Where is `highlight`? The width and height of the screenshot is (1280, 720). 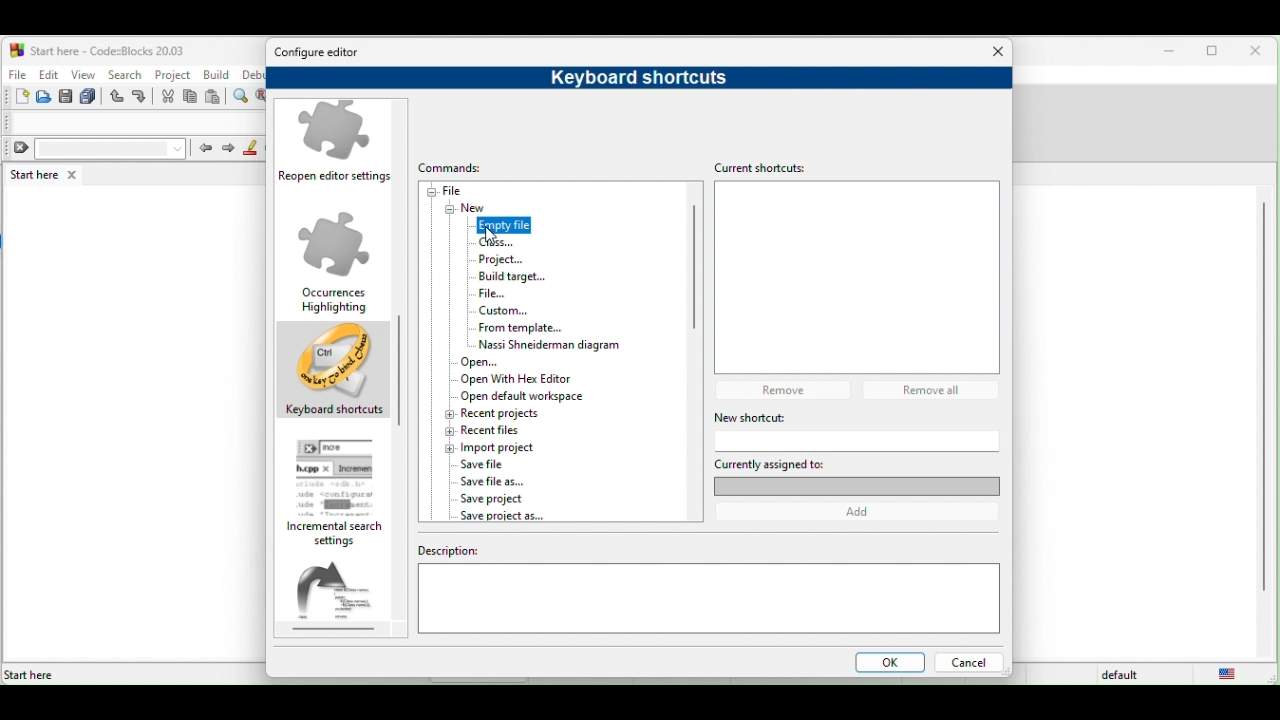 highlight is located at coordinates (251, 148).